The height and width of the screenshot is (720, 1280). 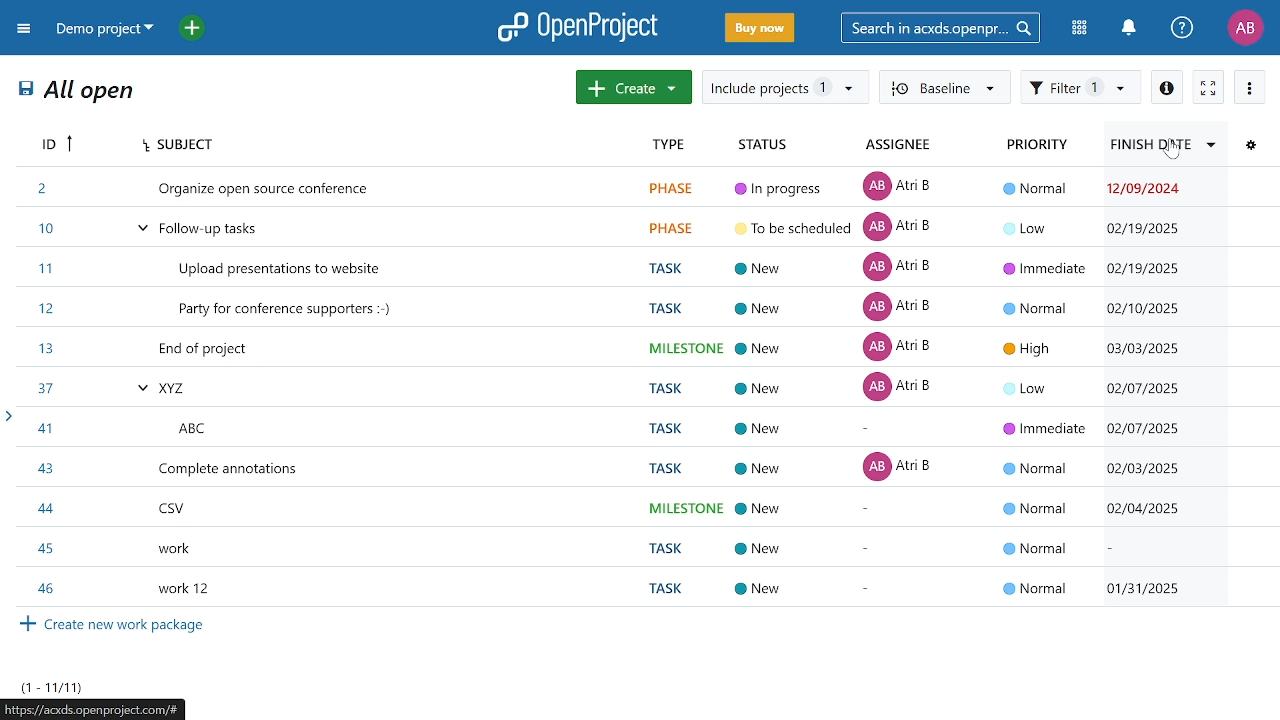 I want to click on search, so click(x=940, y=27).